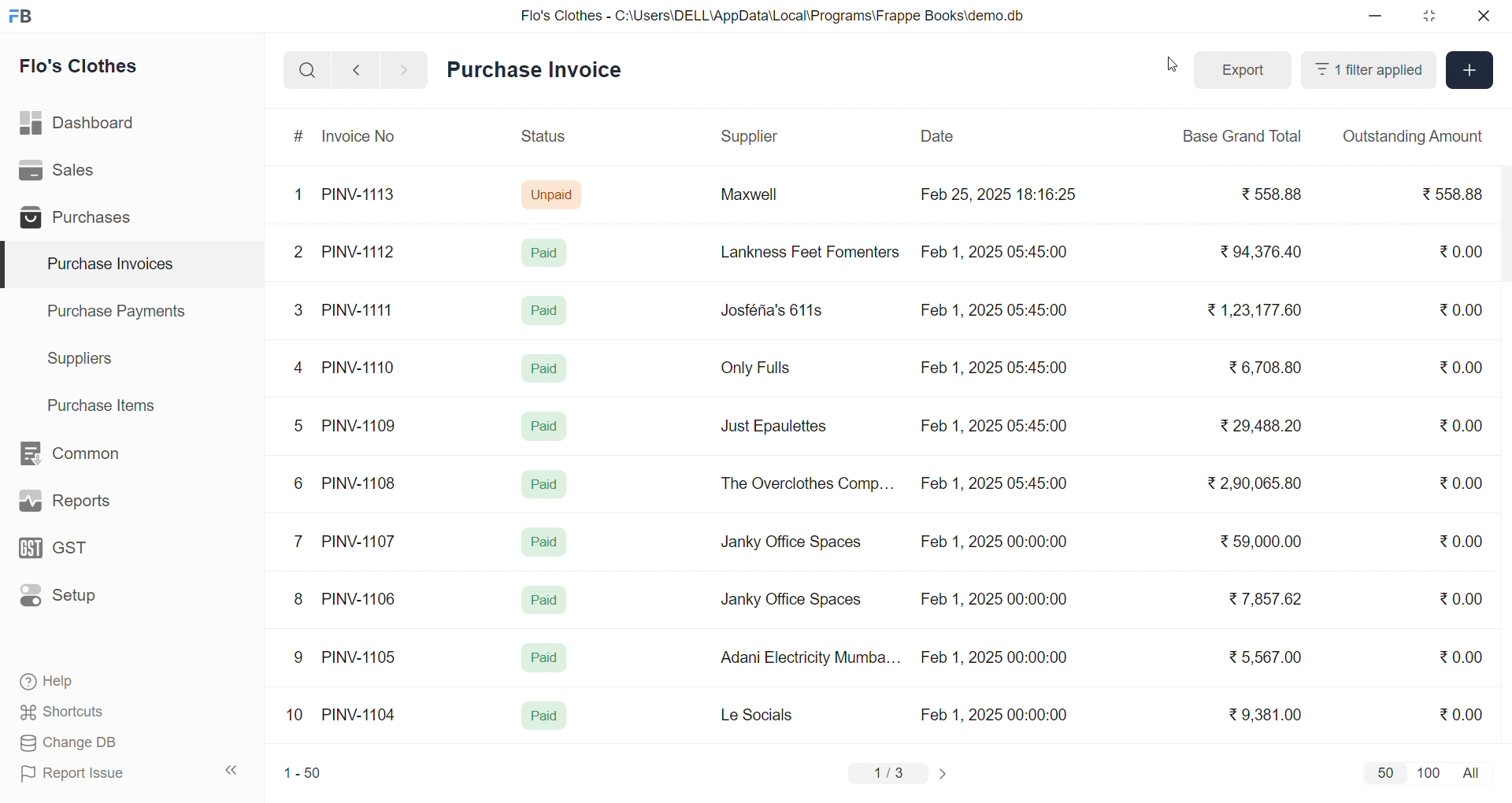 The width and height of the screenshot is (1512, 803). What do you see at coordinates (87, 454) in the screenshot?
I see `Common` at bounding box center [87, 454].